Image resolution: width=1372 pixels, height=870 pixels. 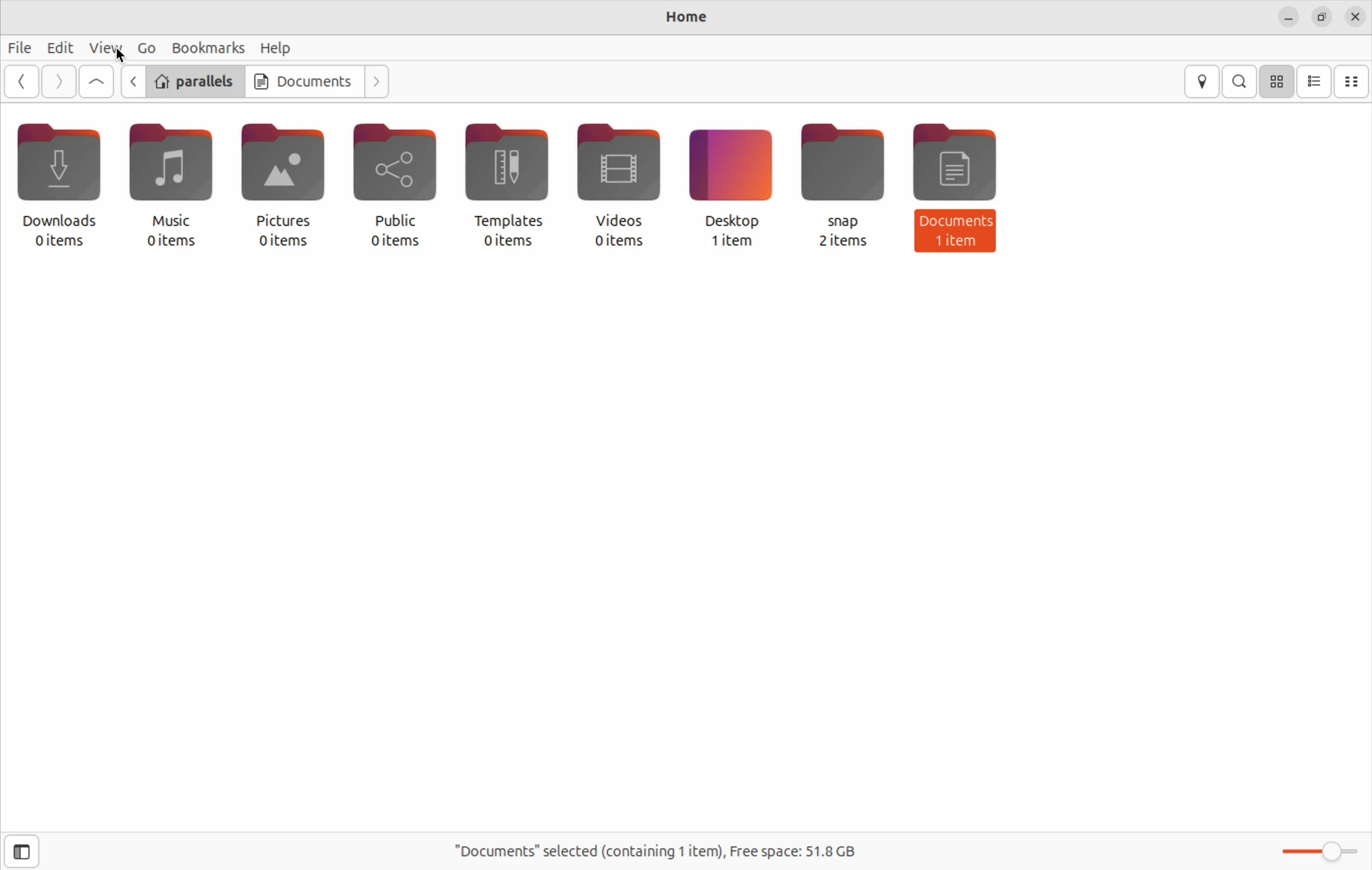 What do you see at coordinates (279, 48) in the screenshot?
I see `Help` at bounding box center [279, 48].